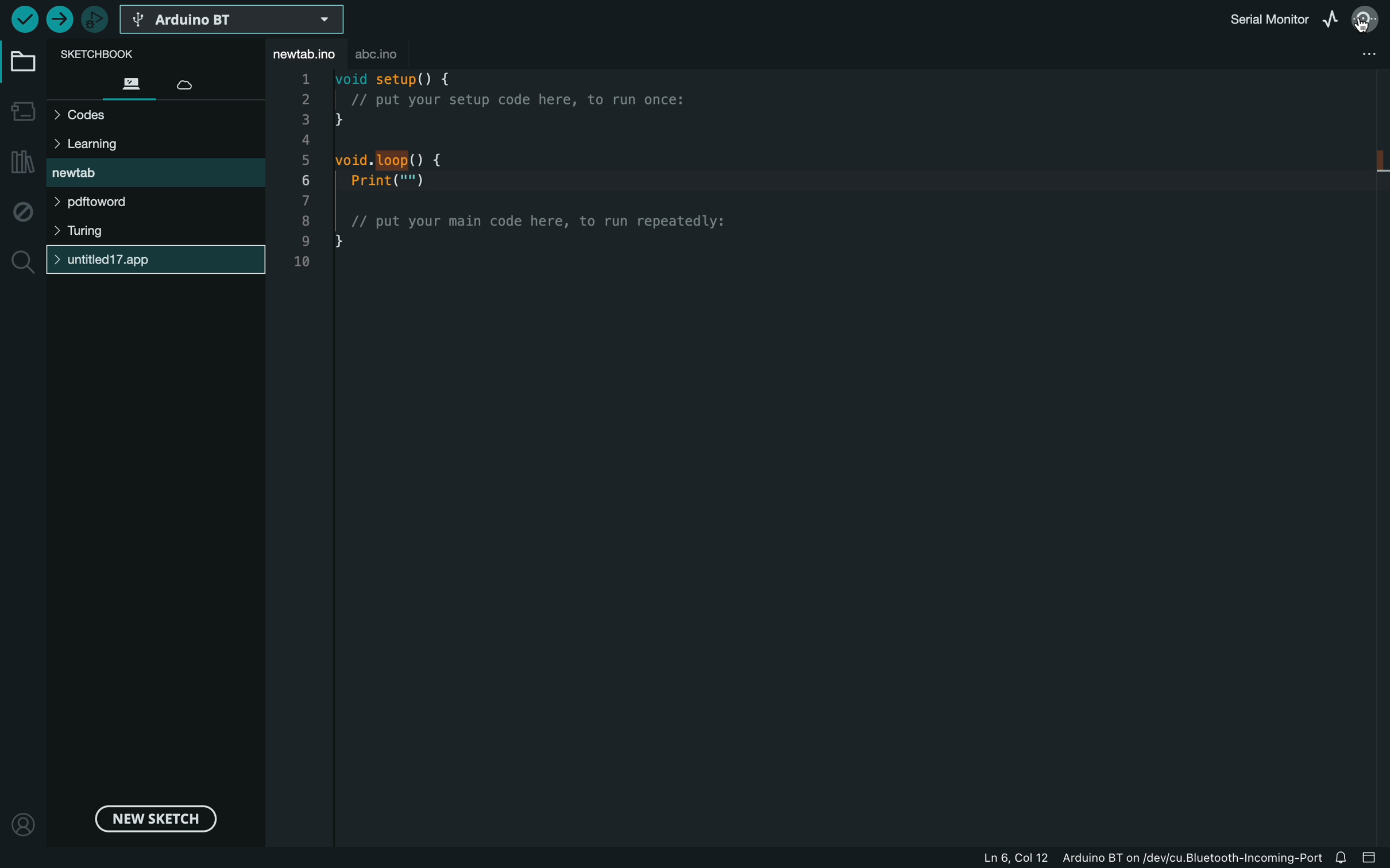  What do you see at coordinates (396, 54) in the screenshot?
I see `abc.ino` at bounding box center [396, 54].